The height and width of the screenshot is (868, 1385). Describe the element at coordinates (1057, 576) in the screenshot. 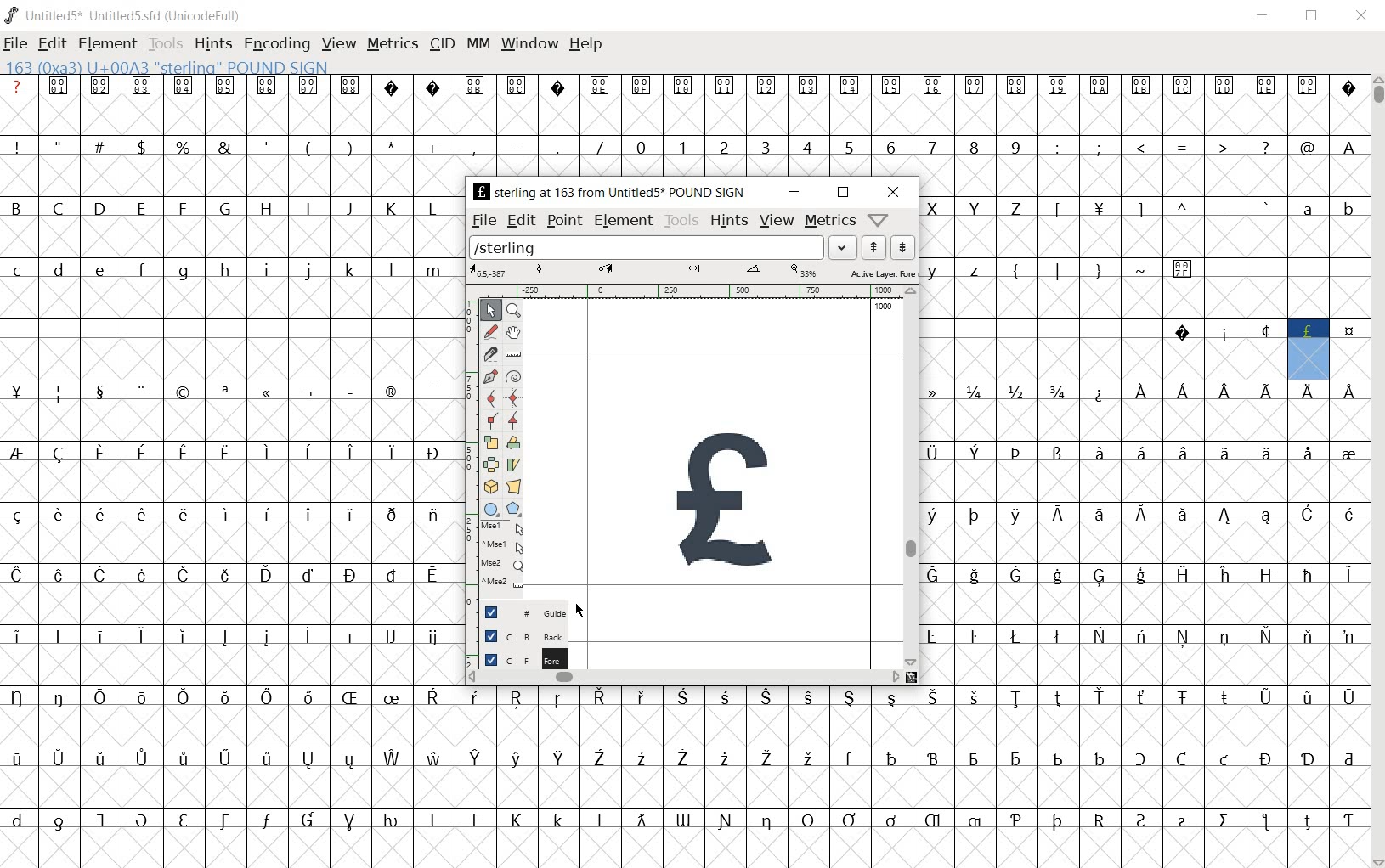

I see `Symbol` at that location.